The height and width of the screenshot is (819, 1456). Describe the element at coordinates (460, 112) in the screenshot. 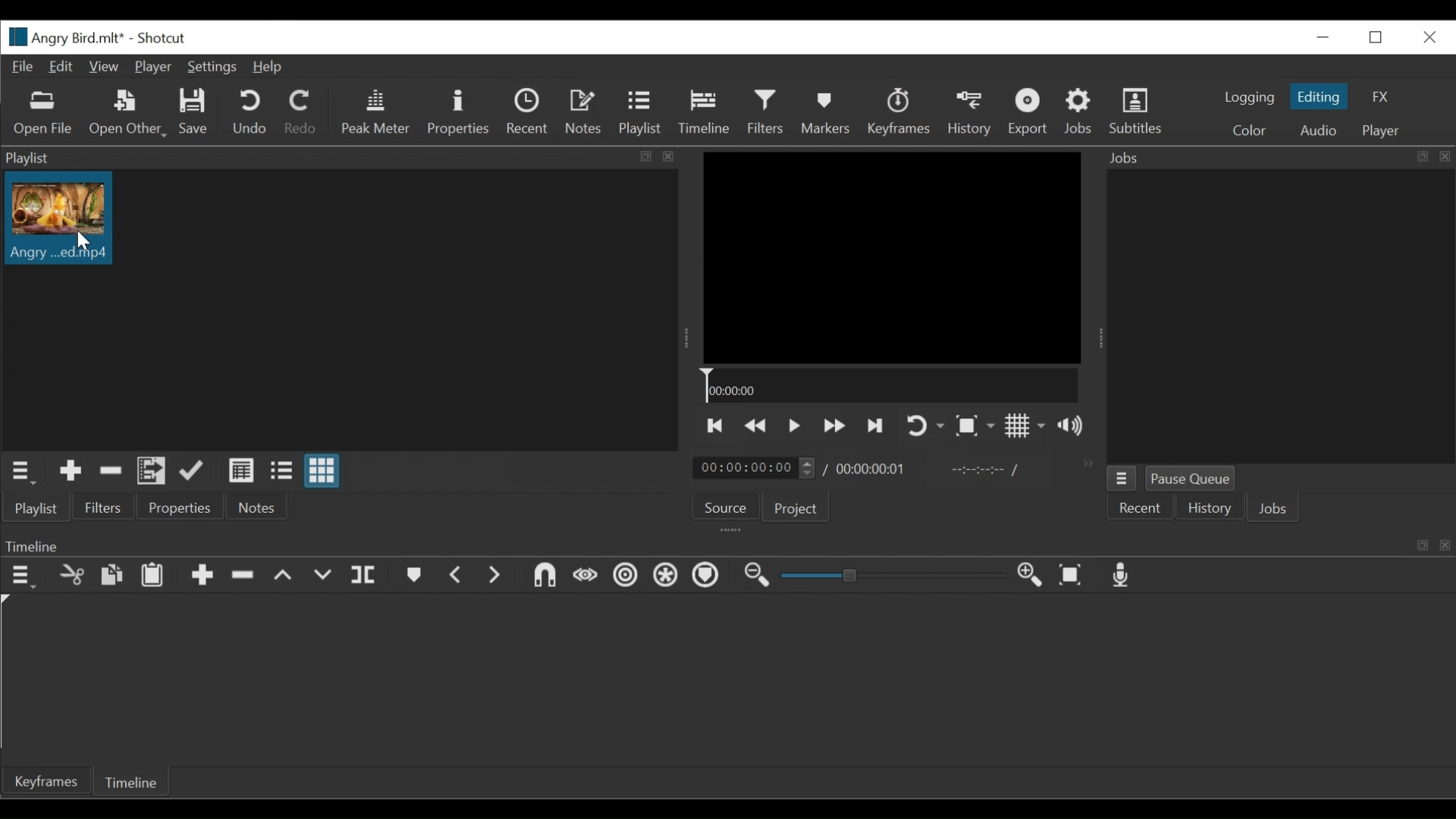

I see `Properties` at that location.